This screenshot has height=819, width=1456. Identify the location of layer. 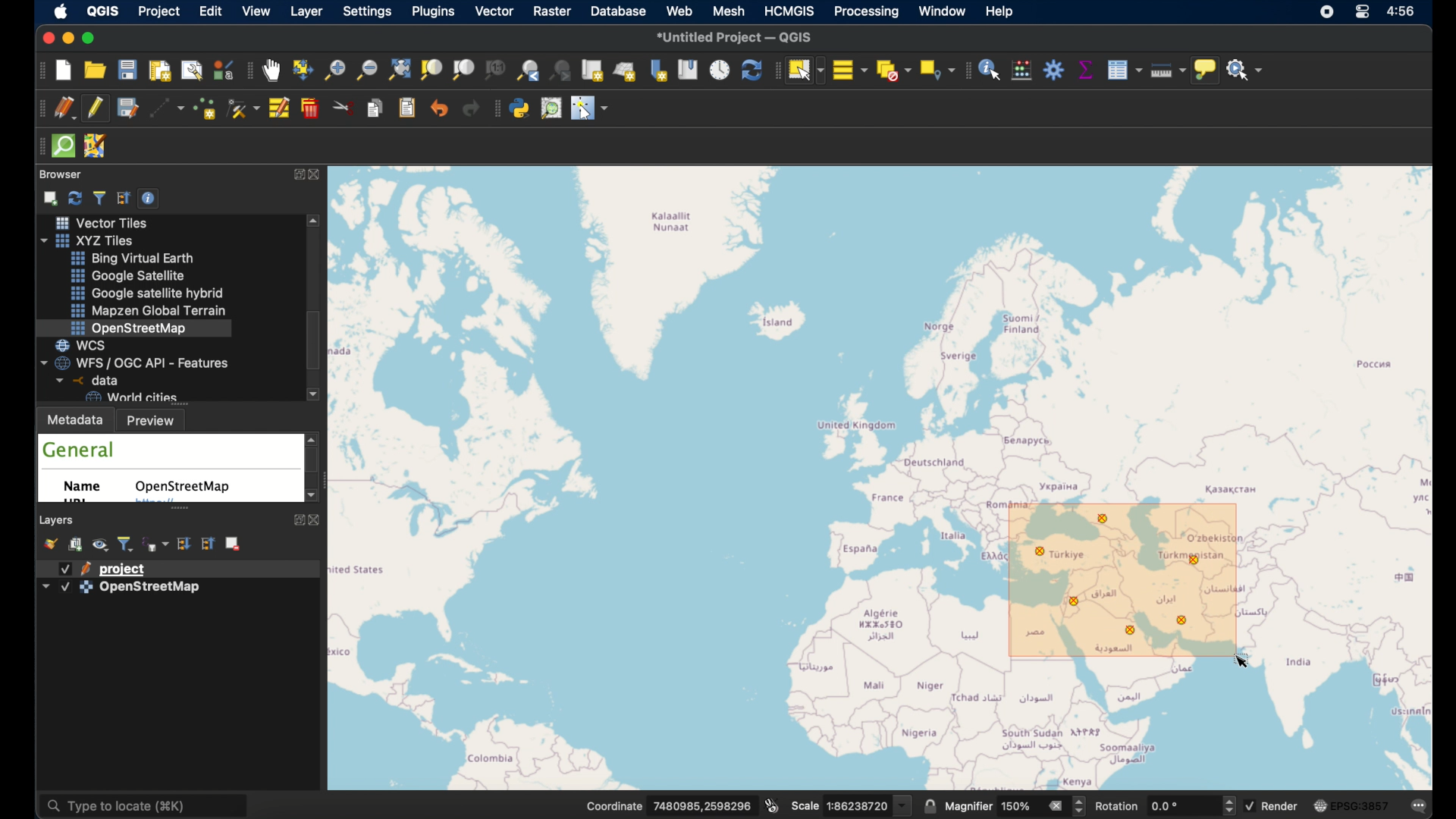
(306, 12).